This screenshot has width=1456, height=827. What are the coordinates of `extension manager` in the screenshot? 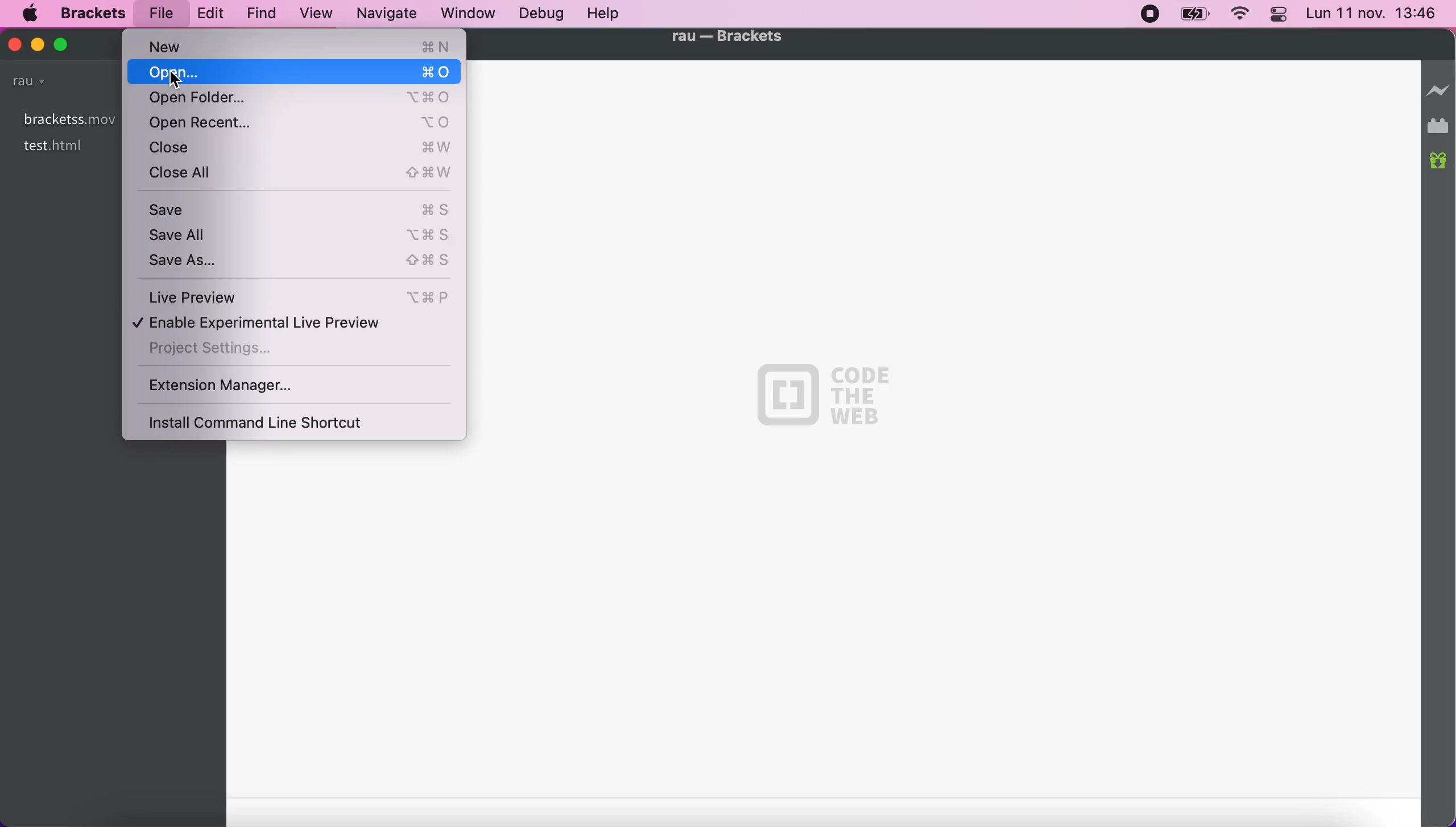 It's located at (234, 387).